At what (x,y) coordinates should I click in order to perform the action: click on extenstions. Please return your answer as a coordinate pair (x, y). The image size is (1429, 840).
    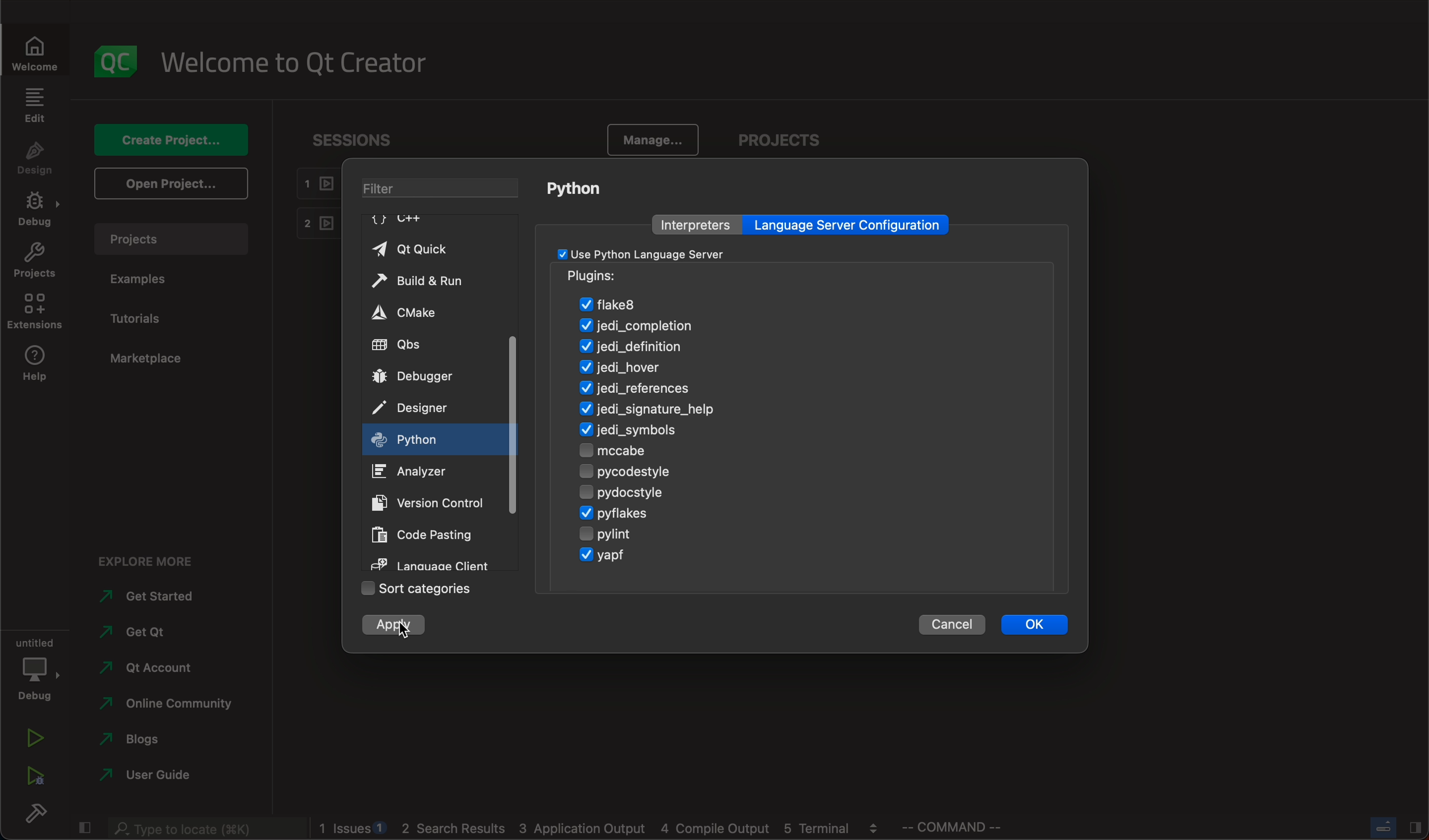
    Looking at the image, I should click on (33, 311).